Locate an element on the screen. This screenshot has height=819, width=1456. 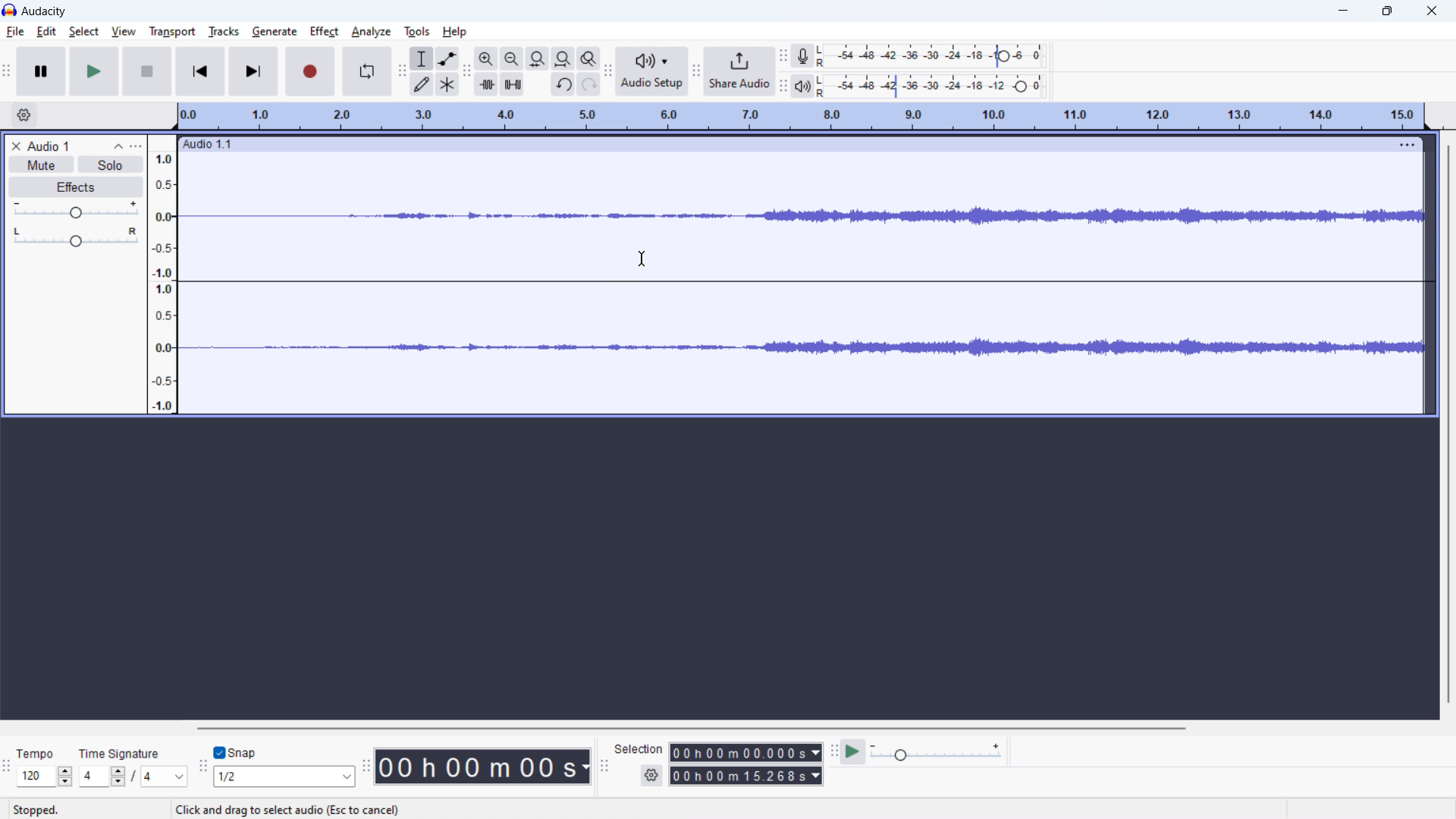
record level is located at coordinates (935, 56).